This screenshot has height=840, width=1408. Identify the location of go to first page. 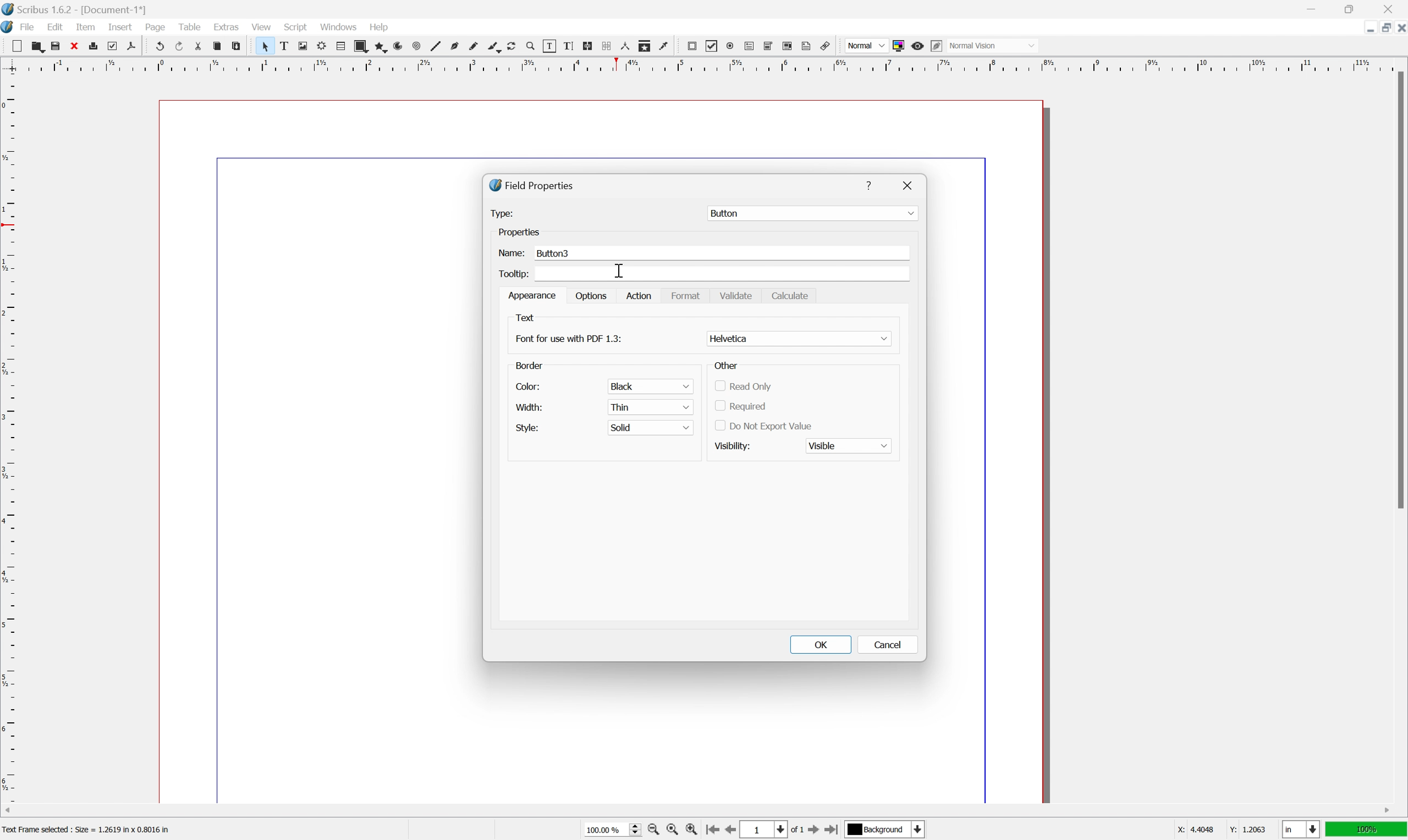
(712, 830).